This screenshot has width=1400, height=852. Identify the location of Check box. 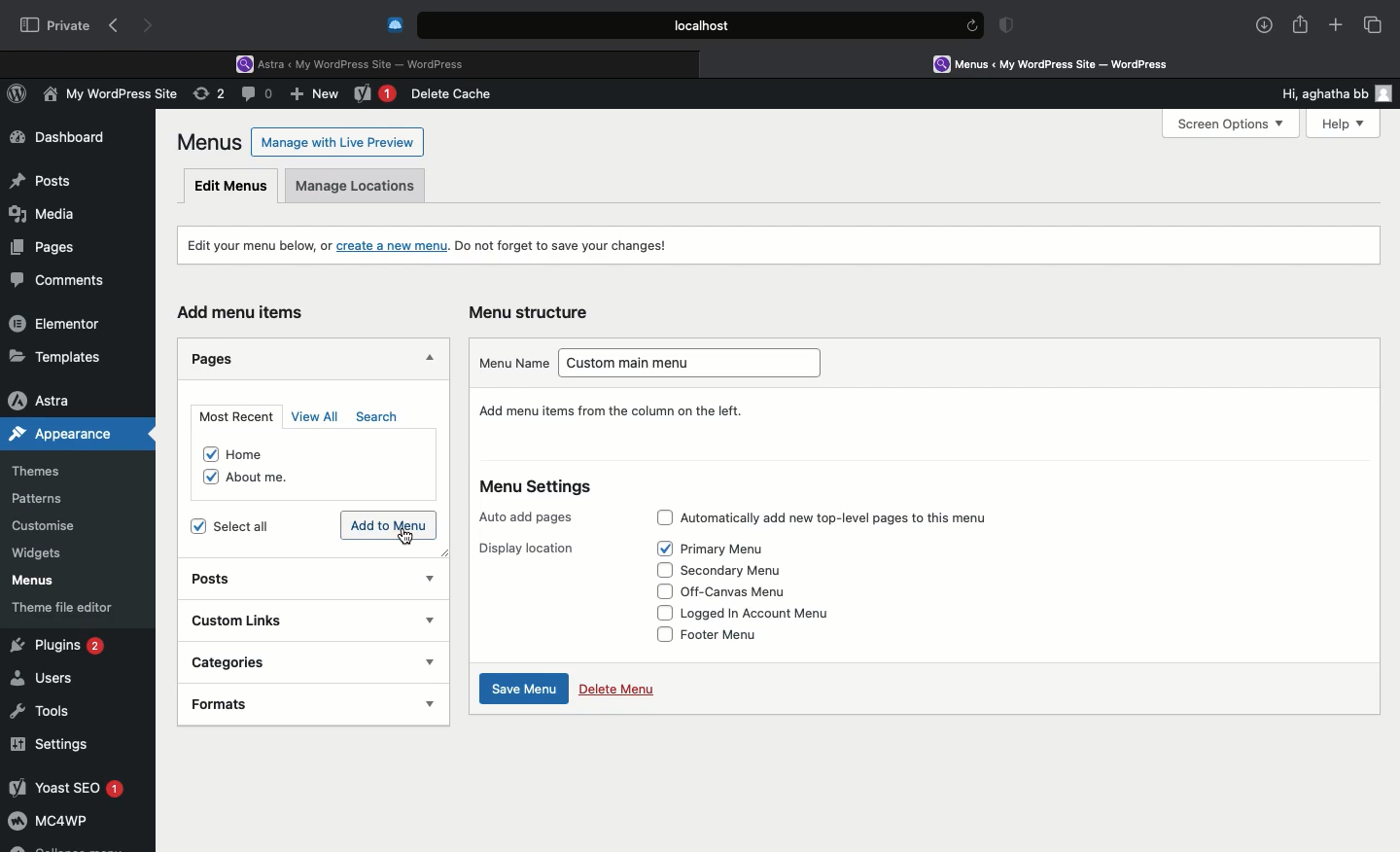
(656, 612).